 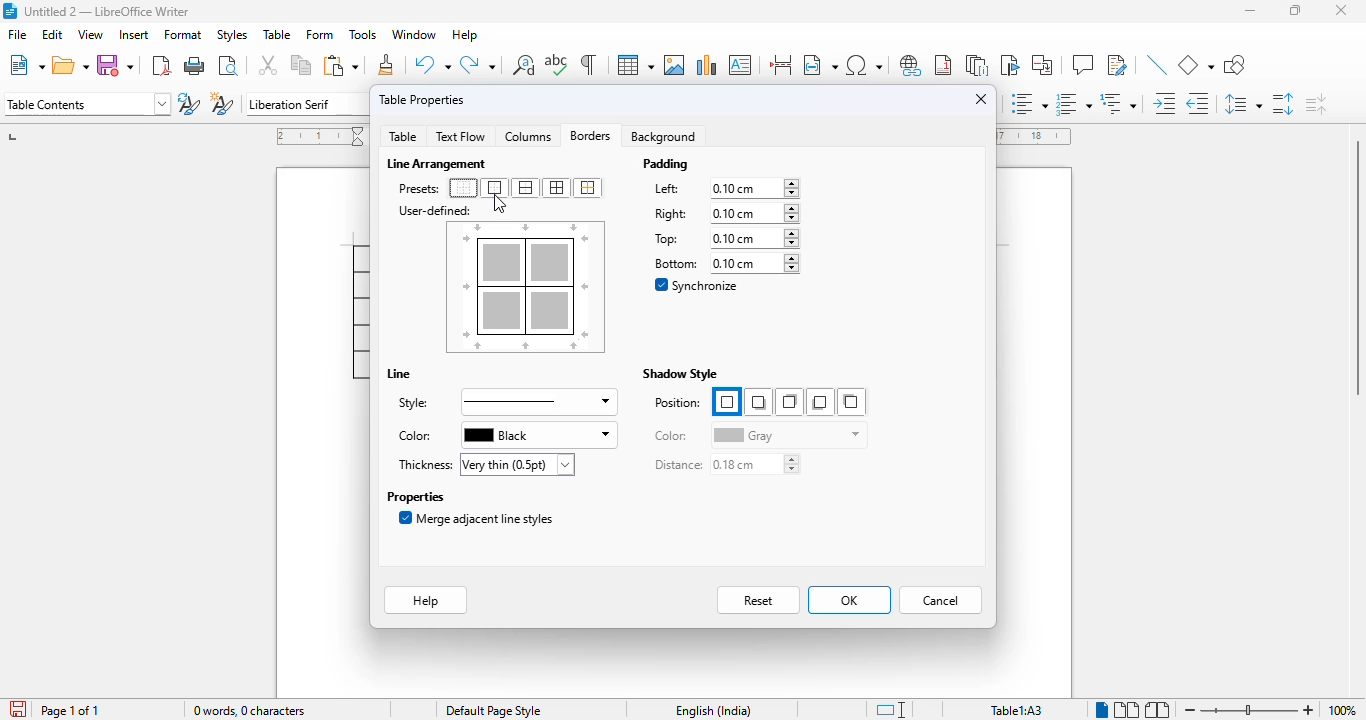 I want to click on position: no shadow, so click(x=759, y=402).